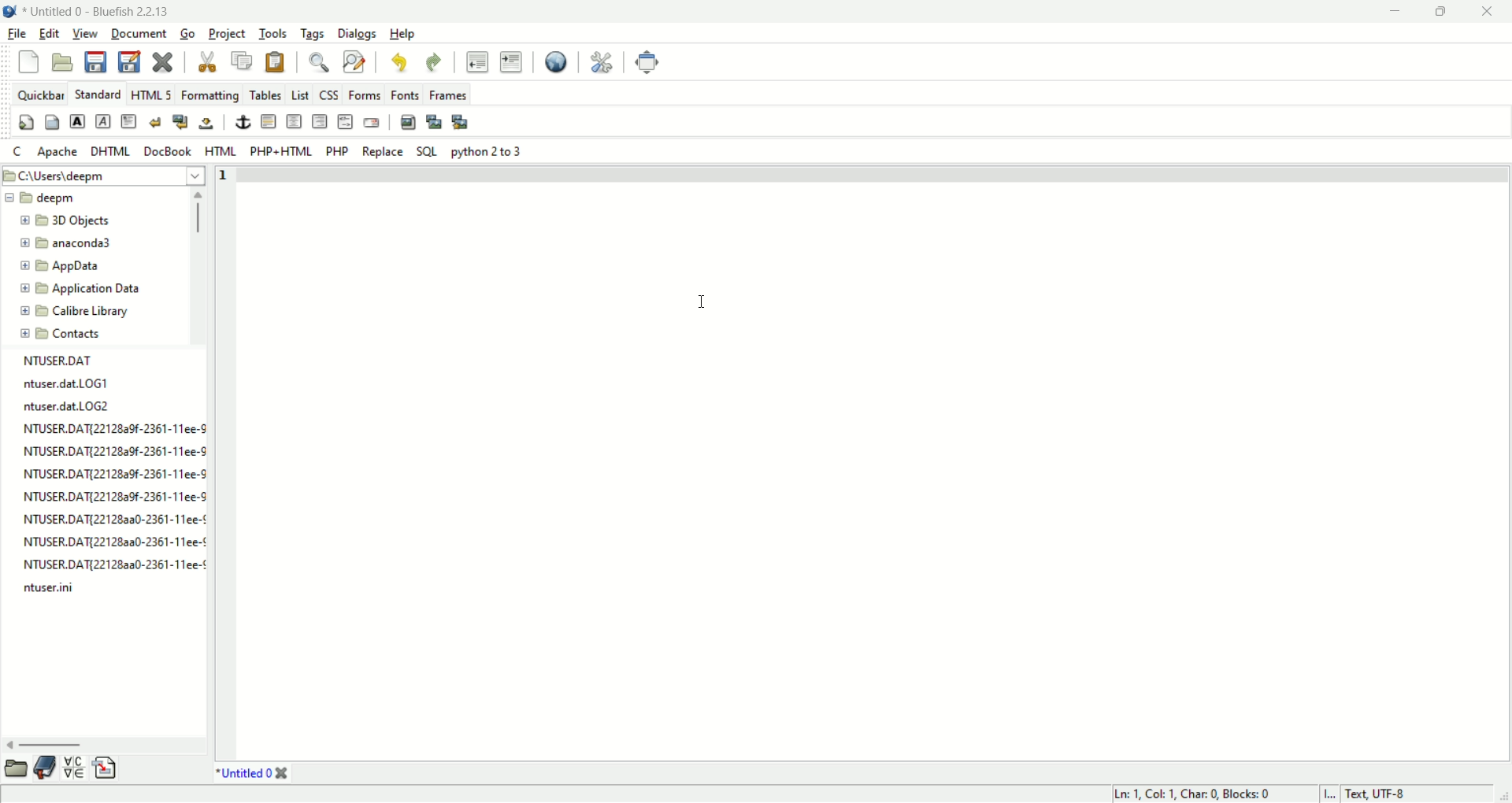  I want to click on fonts, so click(406, 93).